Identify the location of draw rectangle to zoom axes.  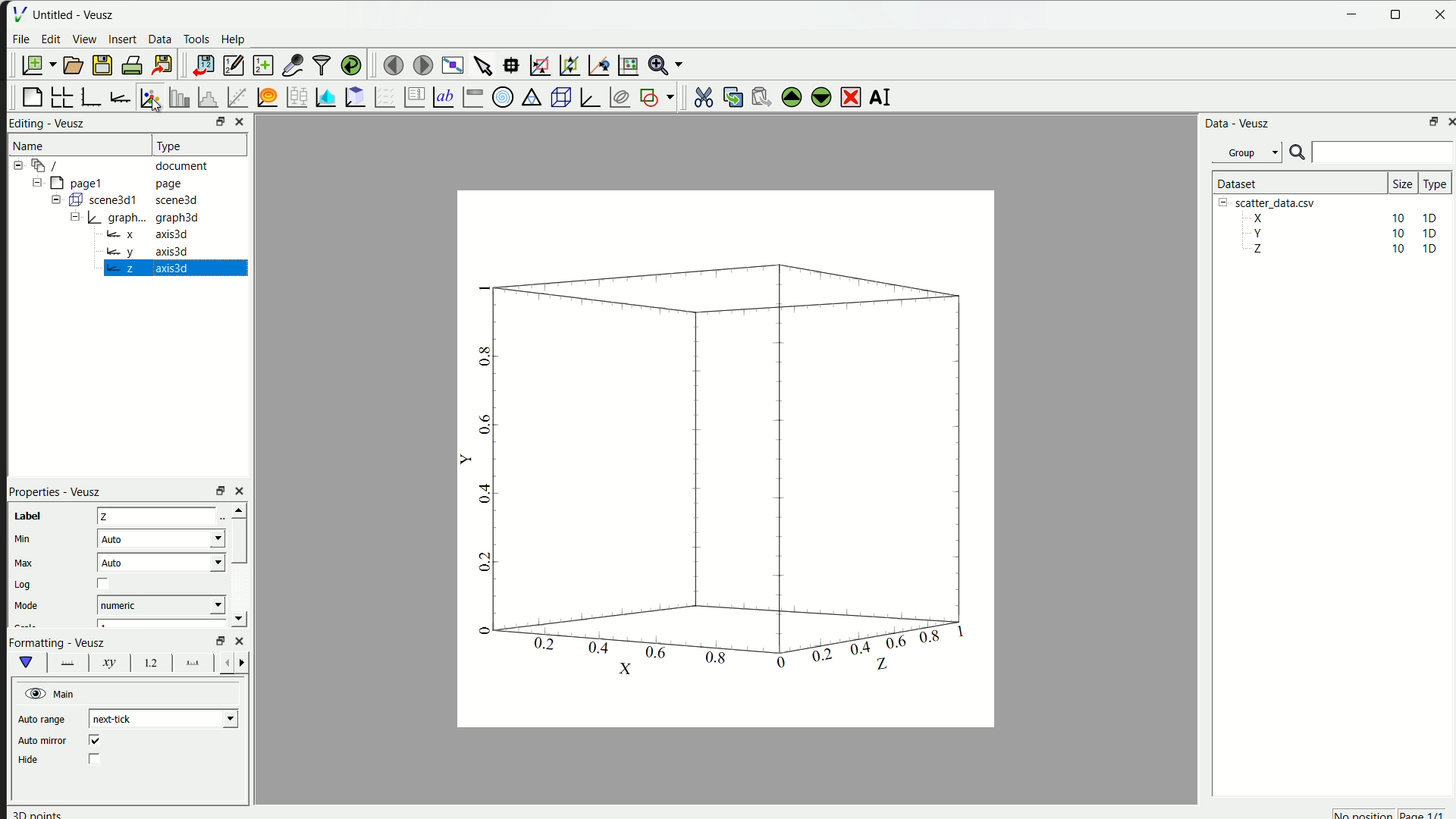
(540, 63).